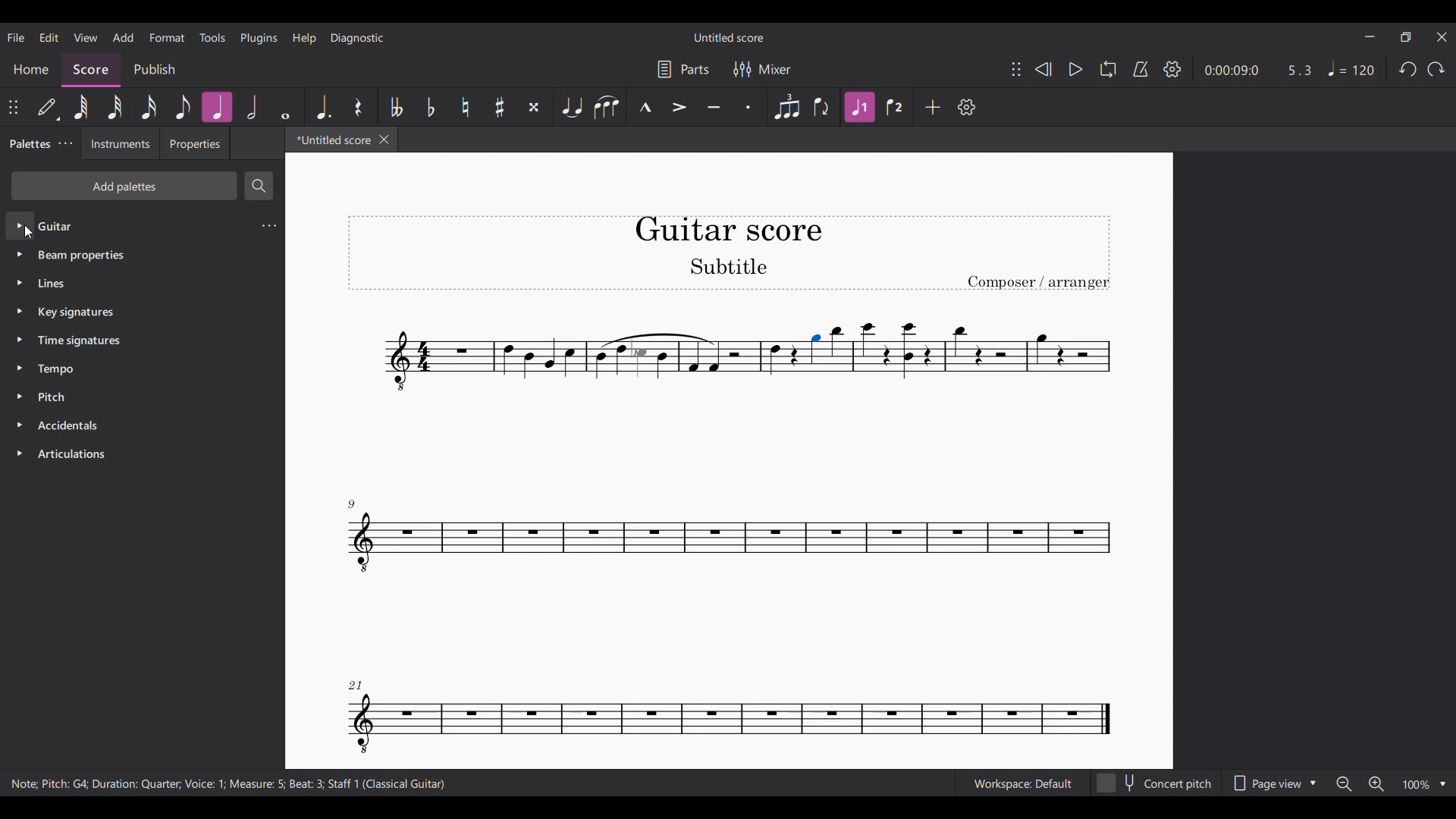 The height and width of the screenshot is (819, 1456). What do you see at coordinates (359, 107) in the screenshot?
I see `Rest` at bounding box center [359, 107].